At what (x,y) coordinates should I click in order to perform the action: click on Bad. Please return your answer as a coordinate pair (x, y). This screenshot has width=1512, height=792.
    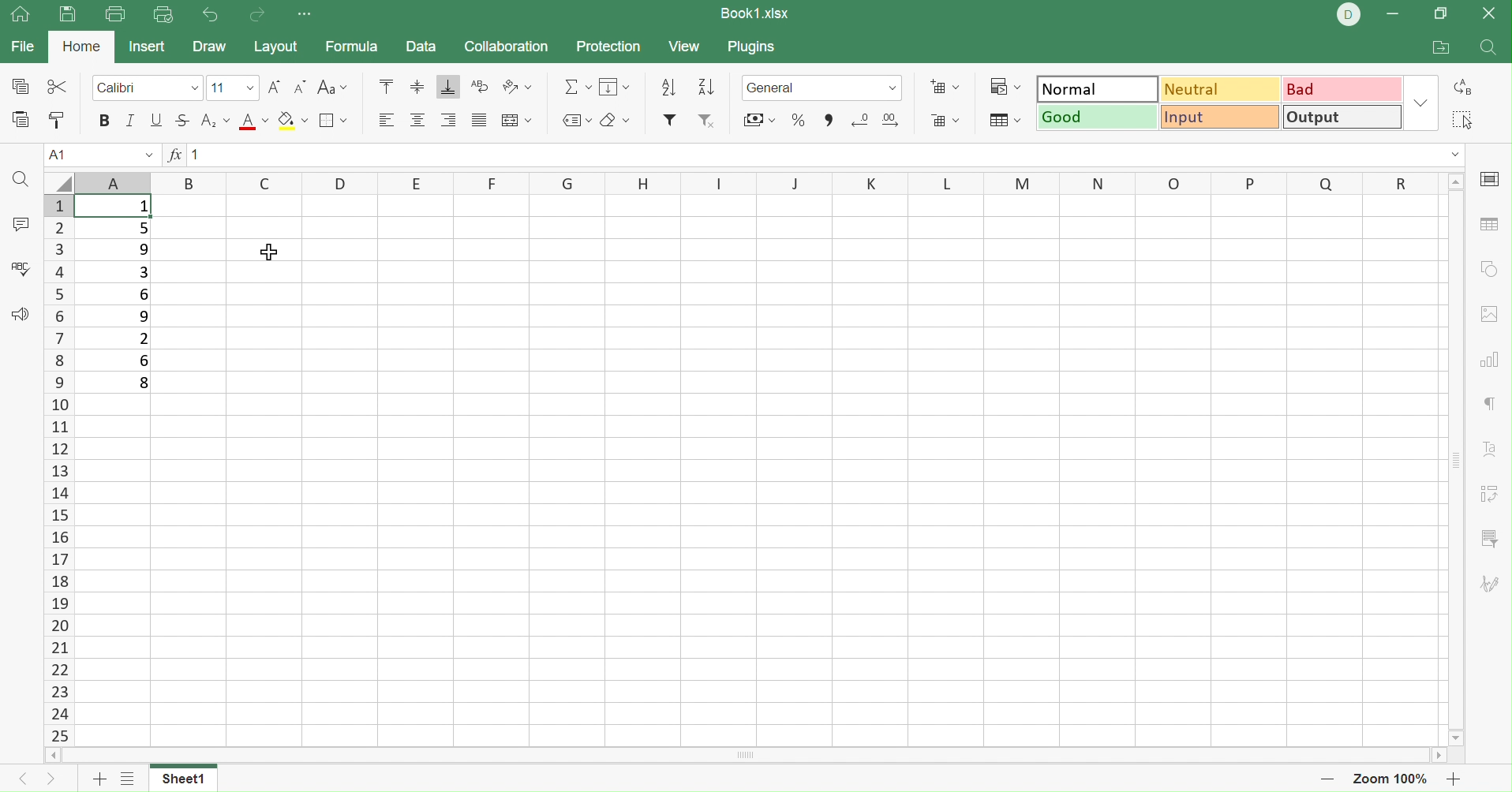
    Looking at the image, I should click on (1344, 88).